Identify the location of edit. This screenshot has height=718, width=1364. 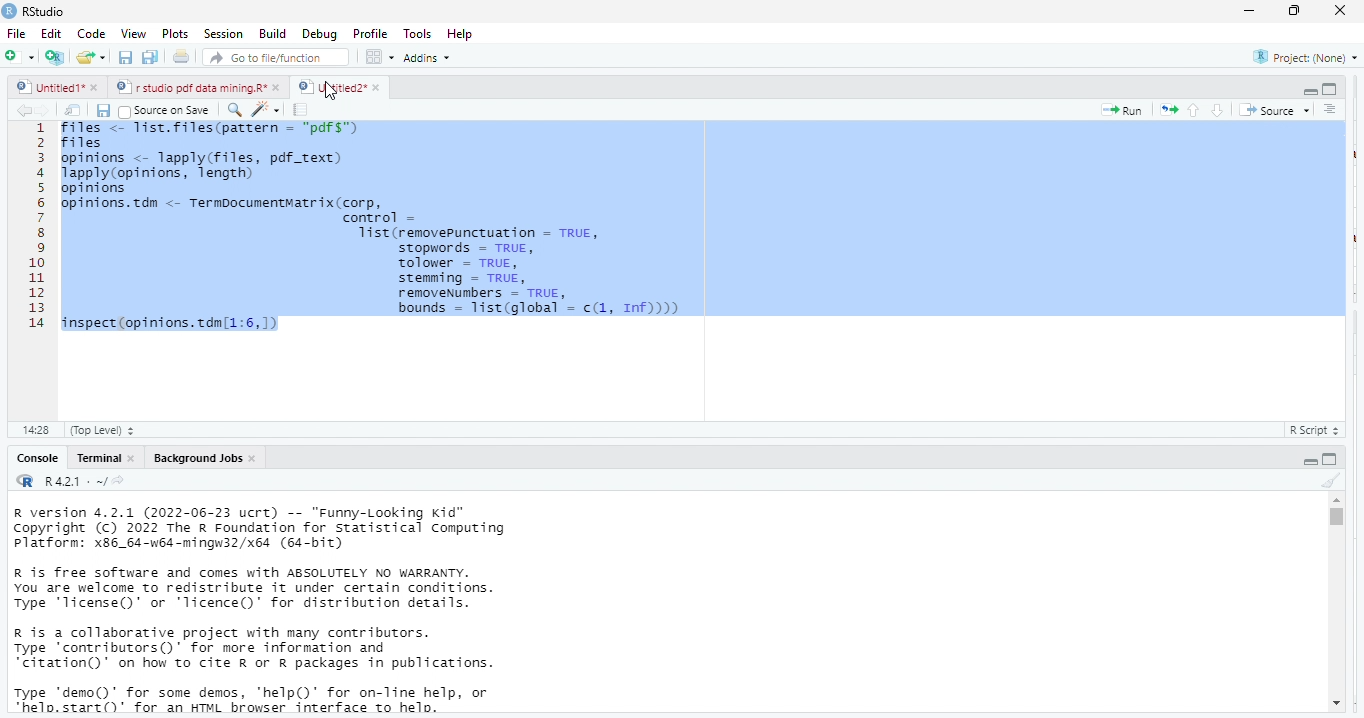
(51, 34).